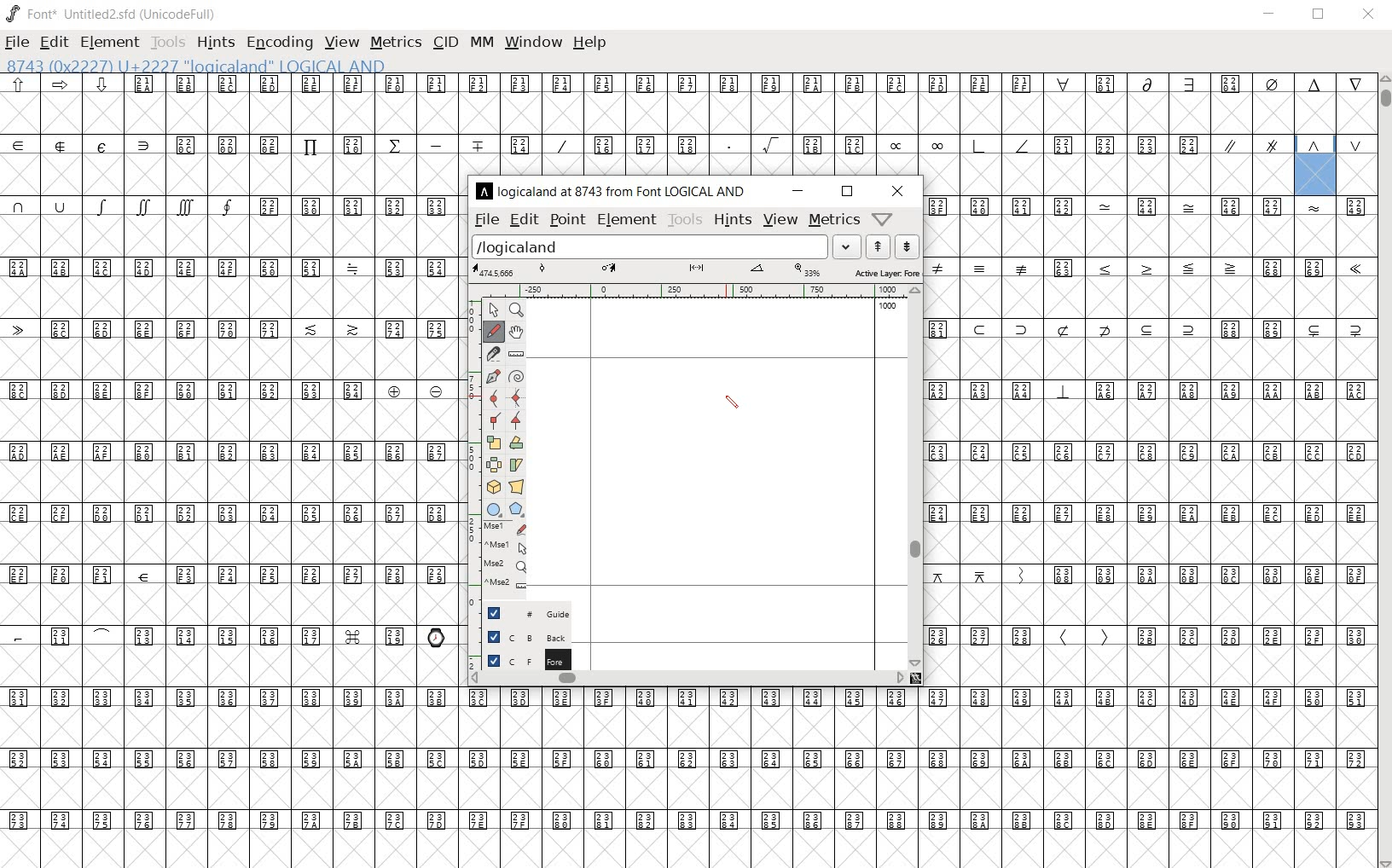 The height and width of the screenshot is (868, 1392). Describe the element at coordinates (1372, 14) in the screenshot. I see `close` at that location.